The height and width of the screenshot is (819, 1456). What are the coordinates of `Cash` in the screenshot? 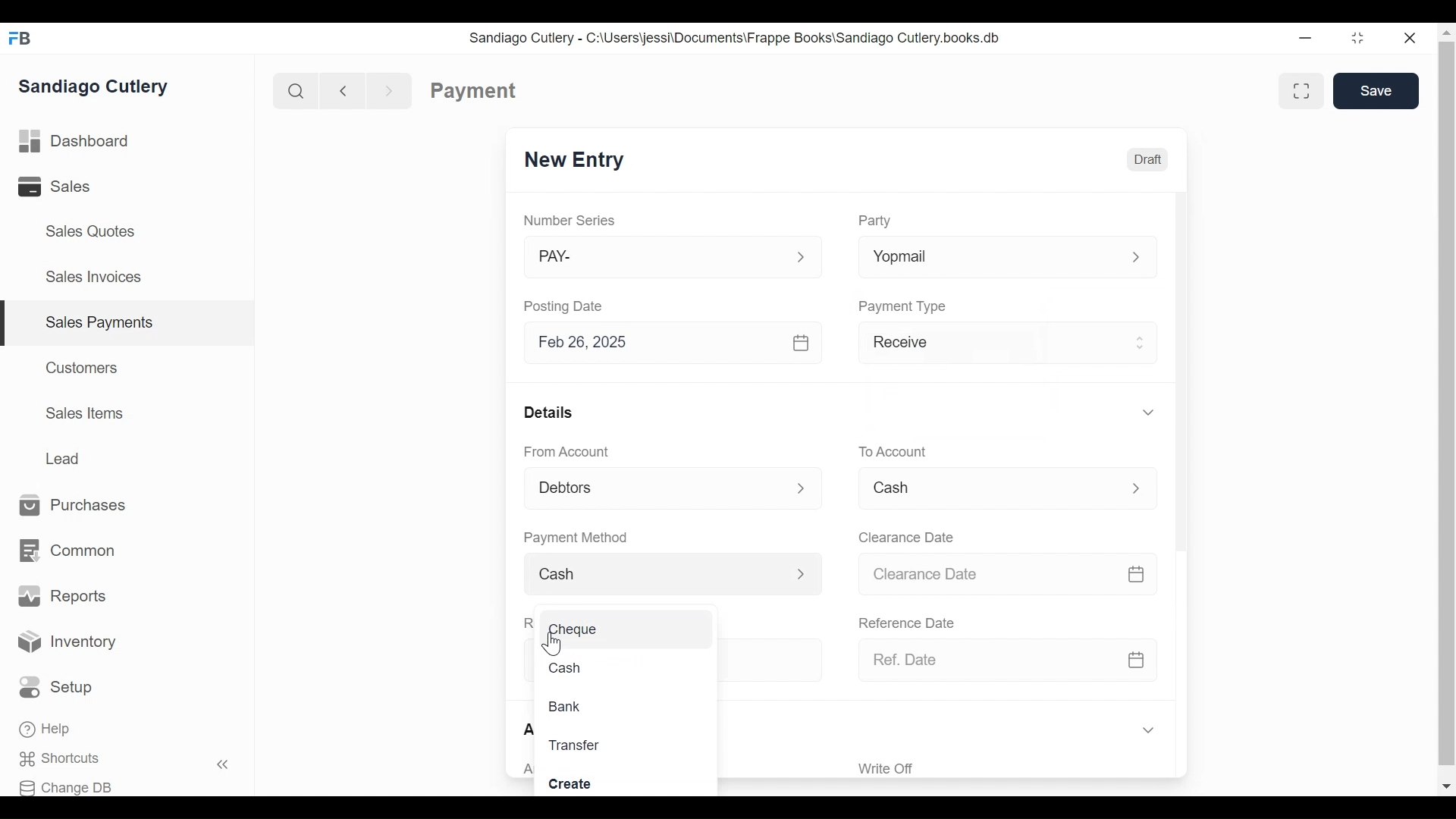 It's located at (654, 572).